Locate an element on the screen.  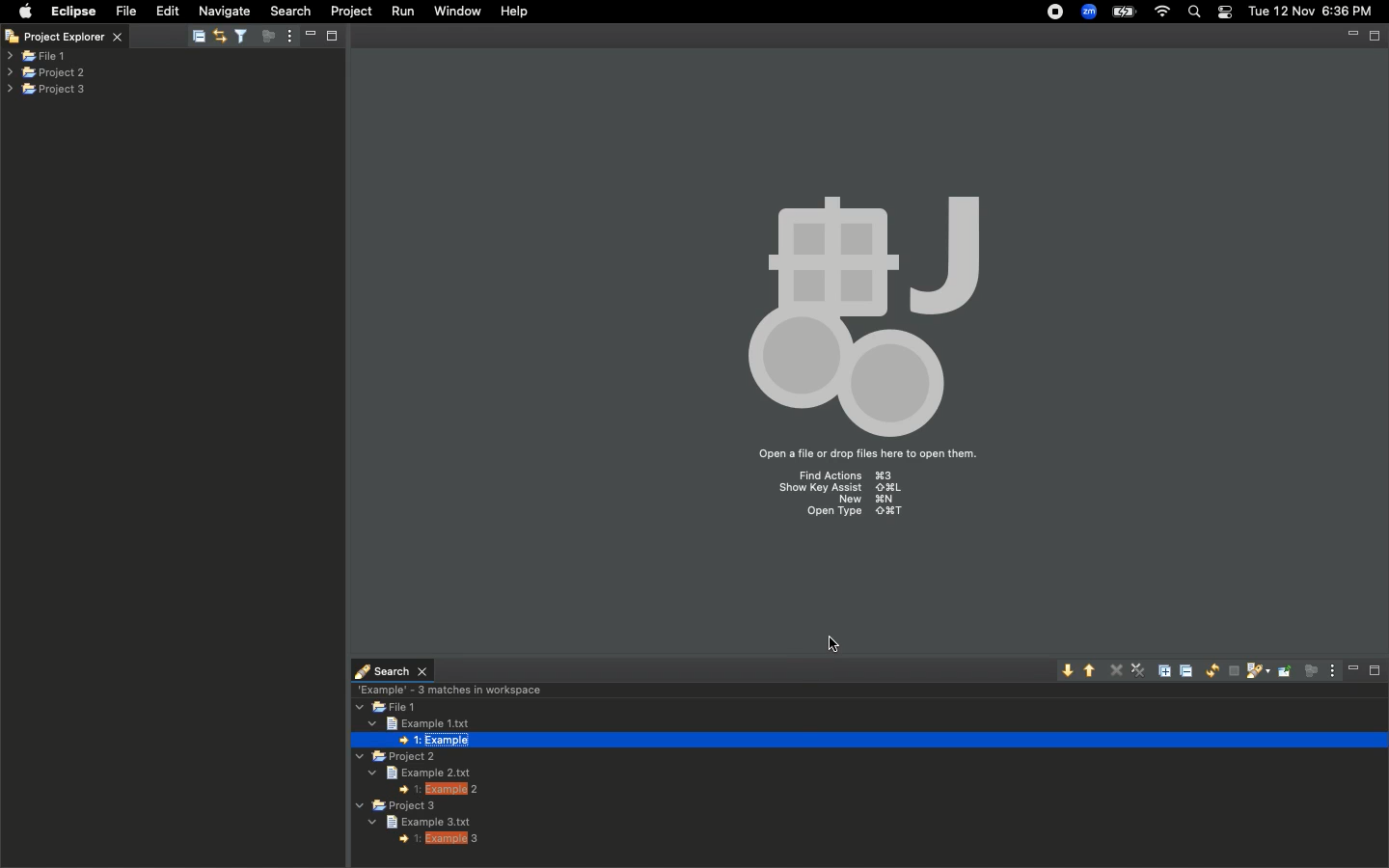
maximize is located at coordinates (334, 35).